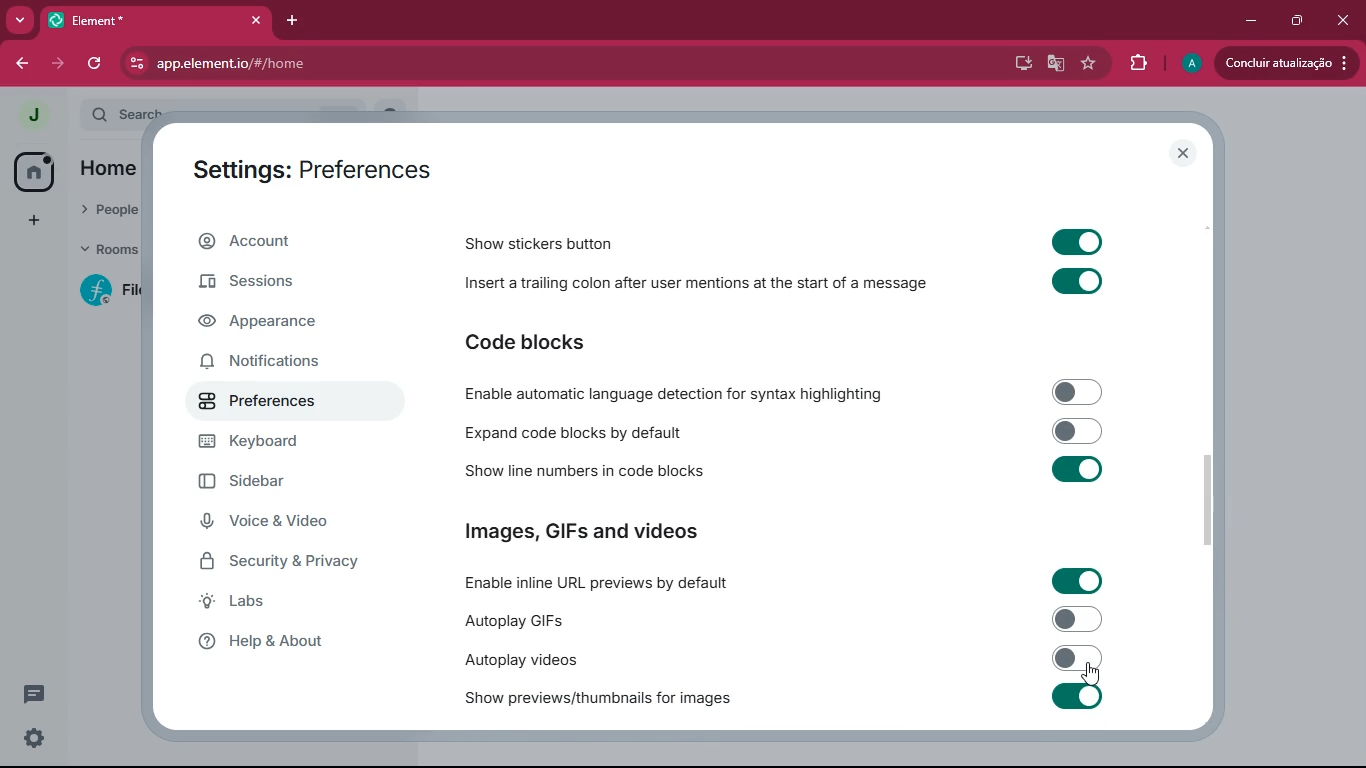 The image size is (1366, 768). Describe the element at coordinates (1077, 283) in the screenshot. I see `` at that location.